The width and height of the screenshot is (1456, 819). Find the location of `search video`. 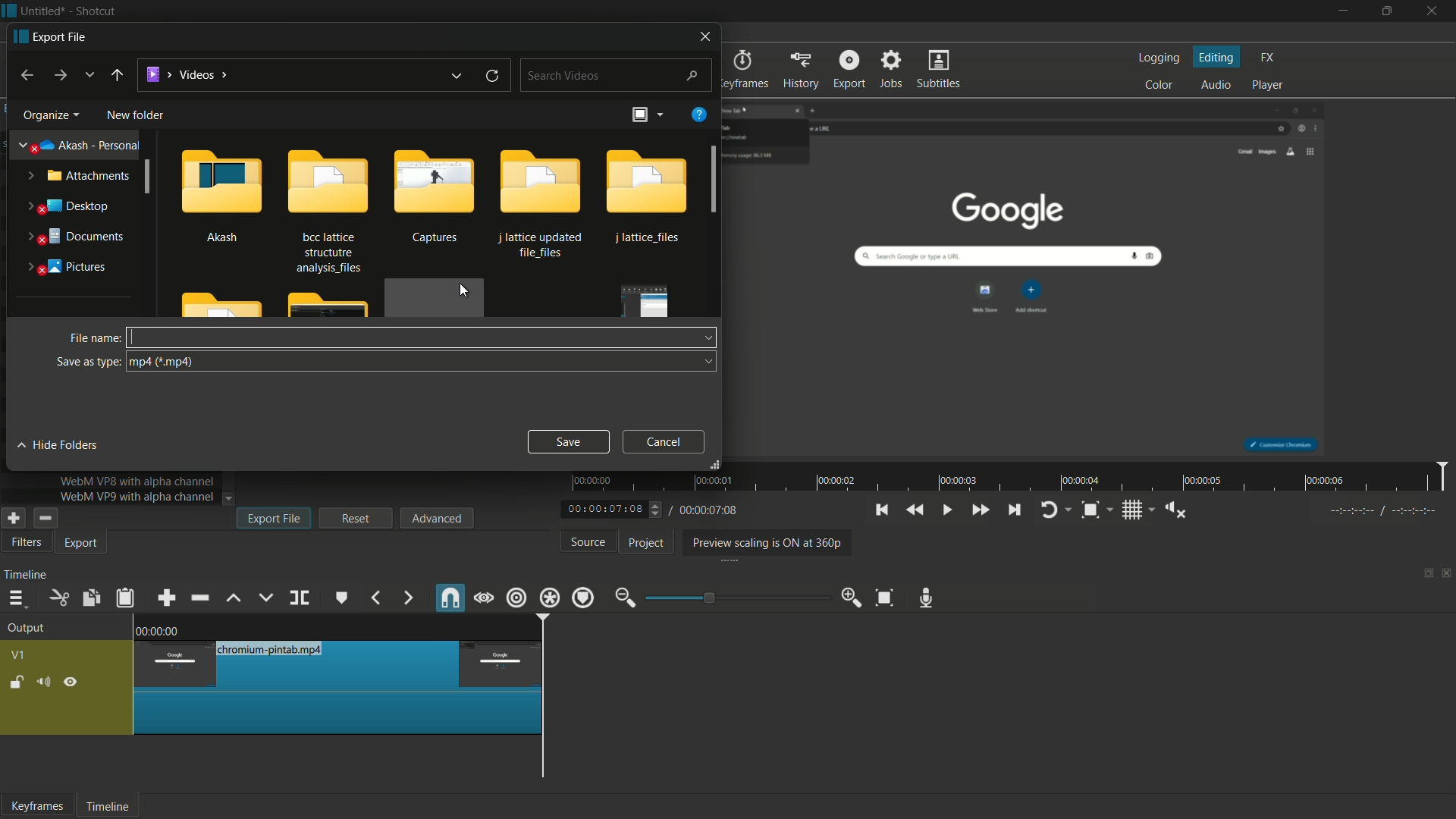

search video is located at coordinates (617, 74).